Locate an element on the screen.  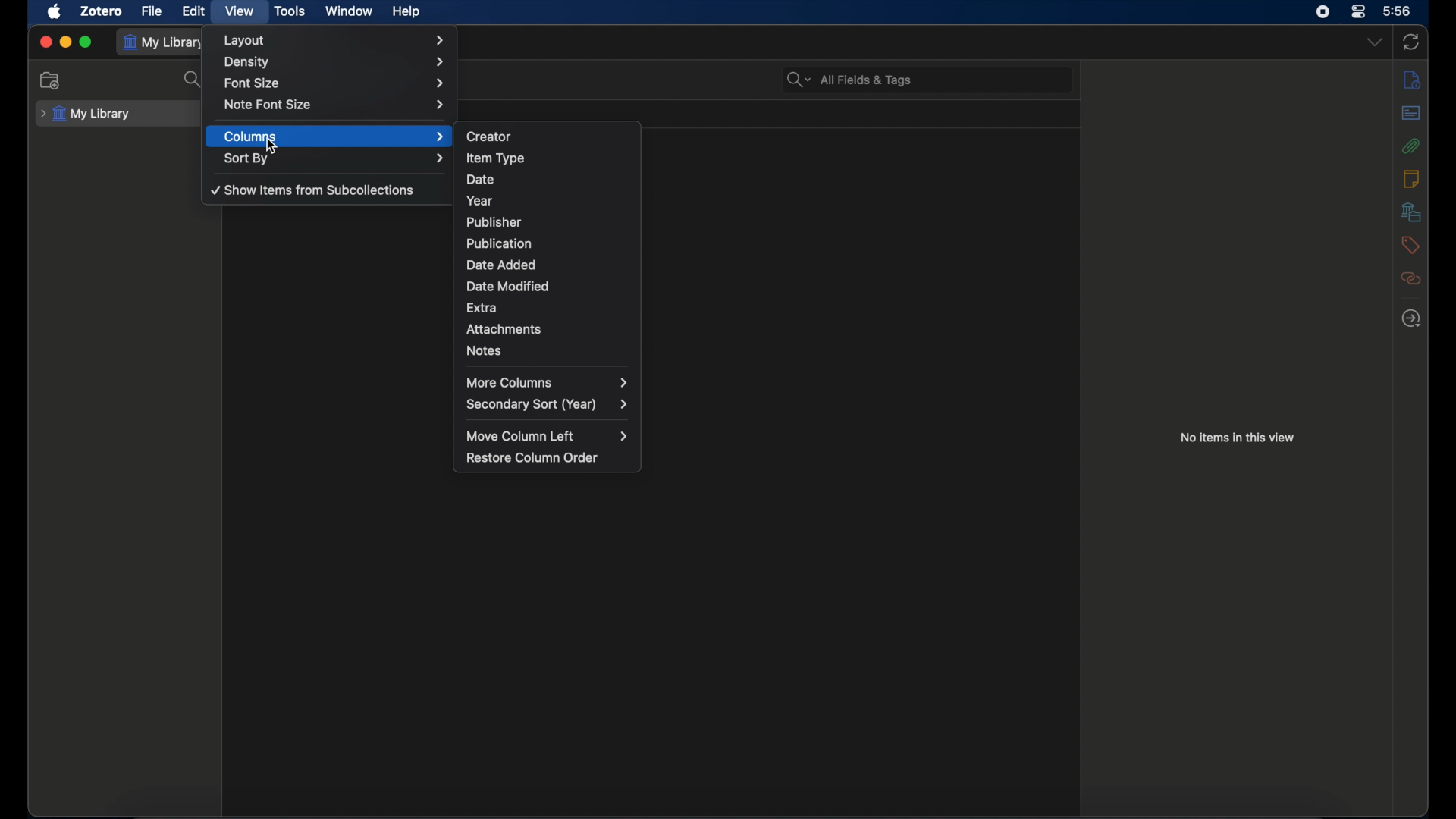
density is located at coordinates (335, 63).